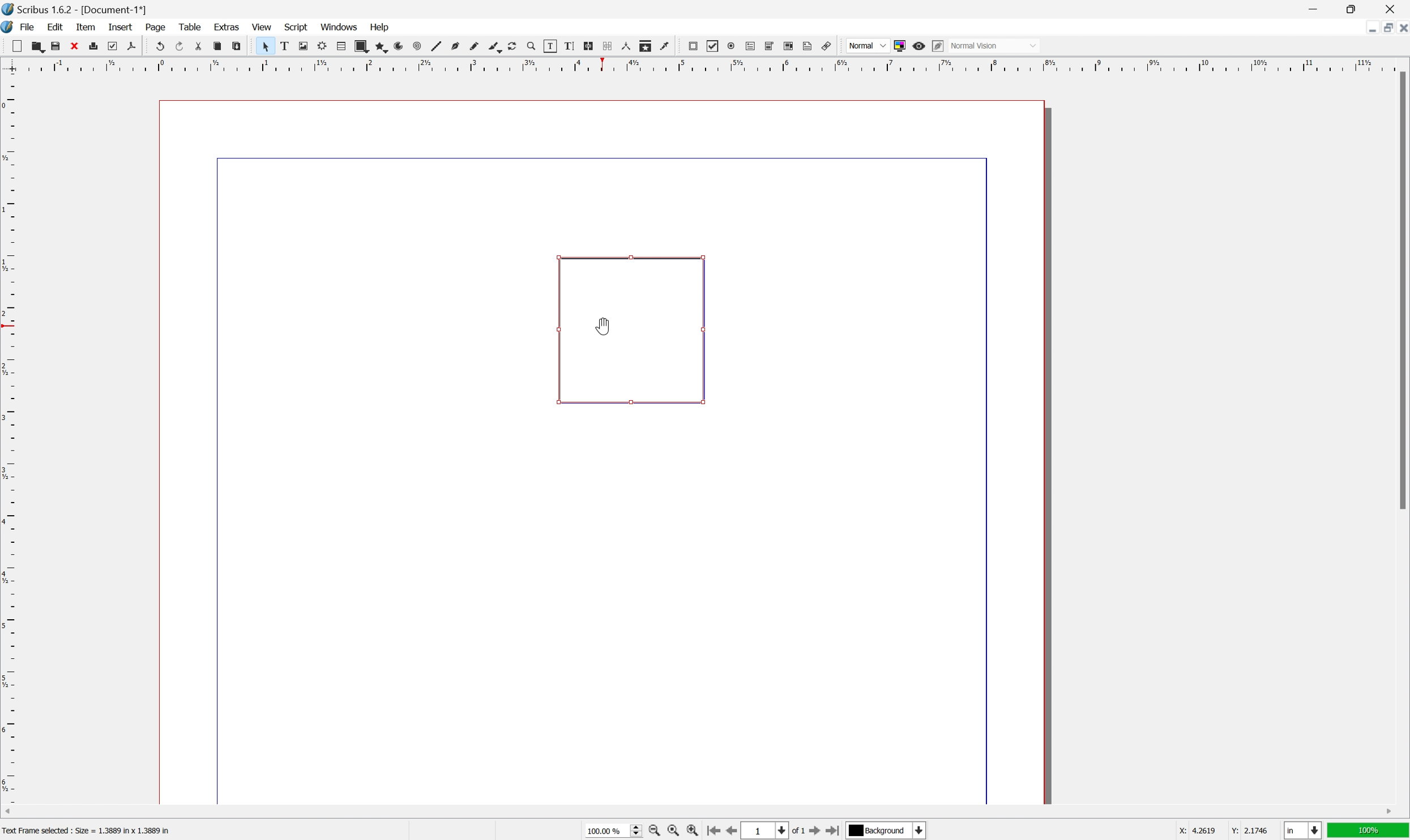  I want to click on calligraphy line, so click(494, 46).